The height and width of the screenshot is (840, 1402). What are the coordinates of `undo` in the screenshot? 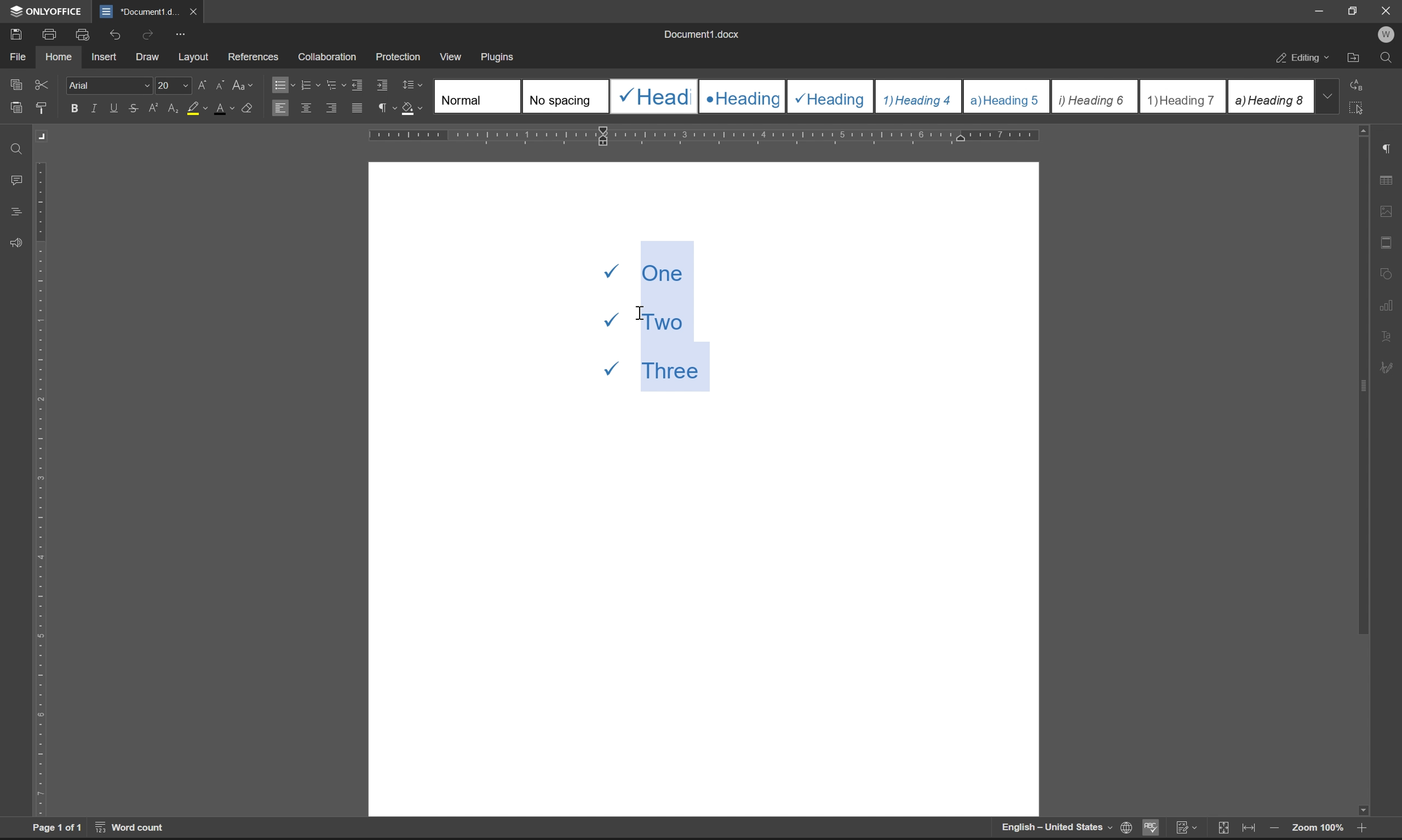 It's located at (113, 36).